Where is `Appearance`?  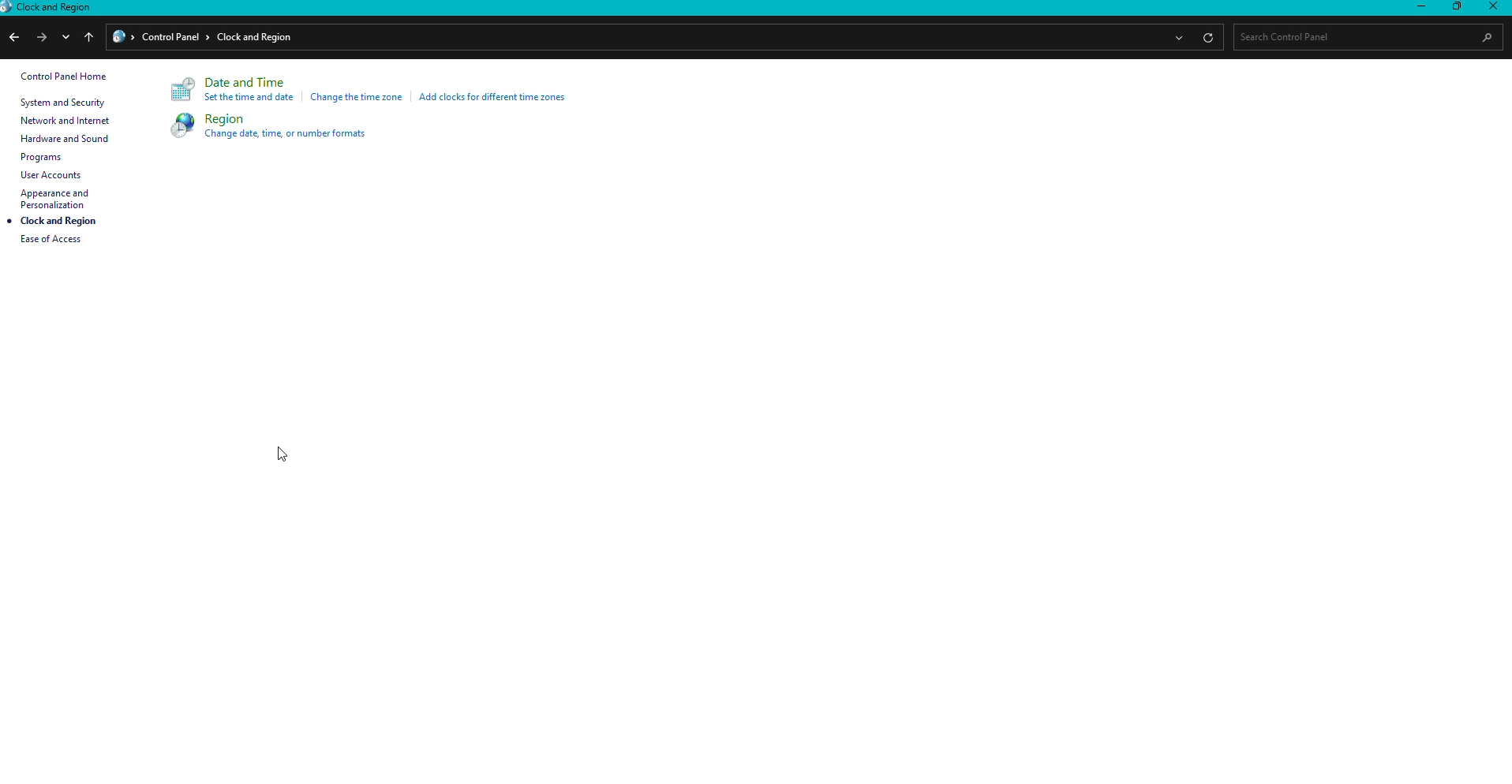 Appearance is located at coordinates (60, 199).